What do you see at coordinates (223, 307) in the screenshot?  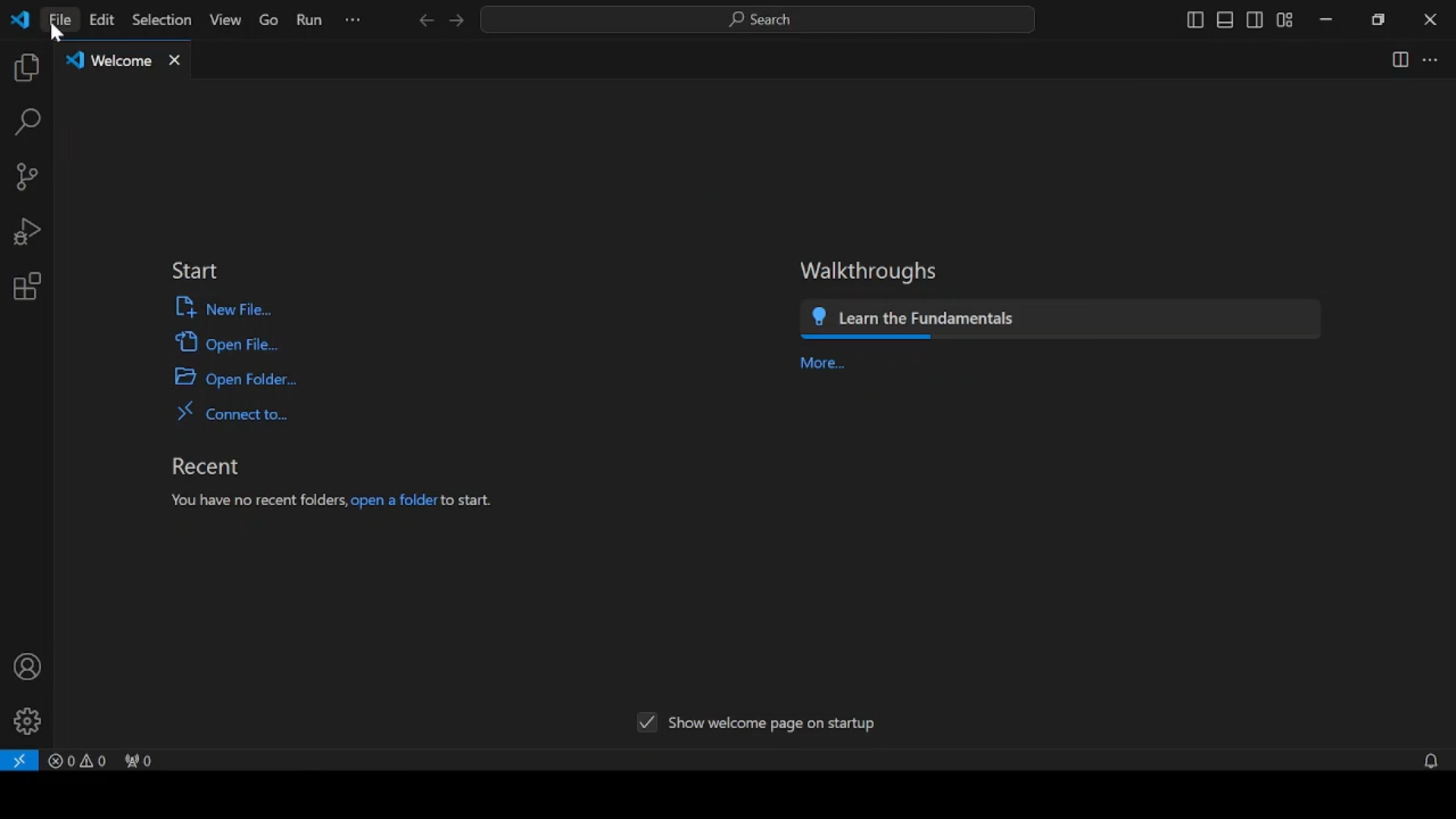 I see `new file` at bounding box center [223, 307].